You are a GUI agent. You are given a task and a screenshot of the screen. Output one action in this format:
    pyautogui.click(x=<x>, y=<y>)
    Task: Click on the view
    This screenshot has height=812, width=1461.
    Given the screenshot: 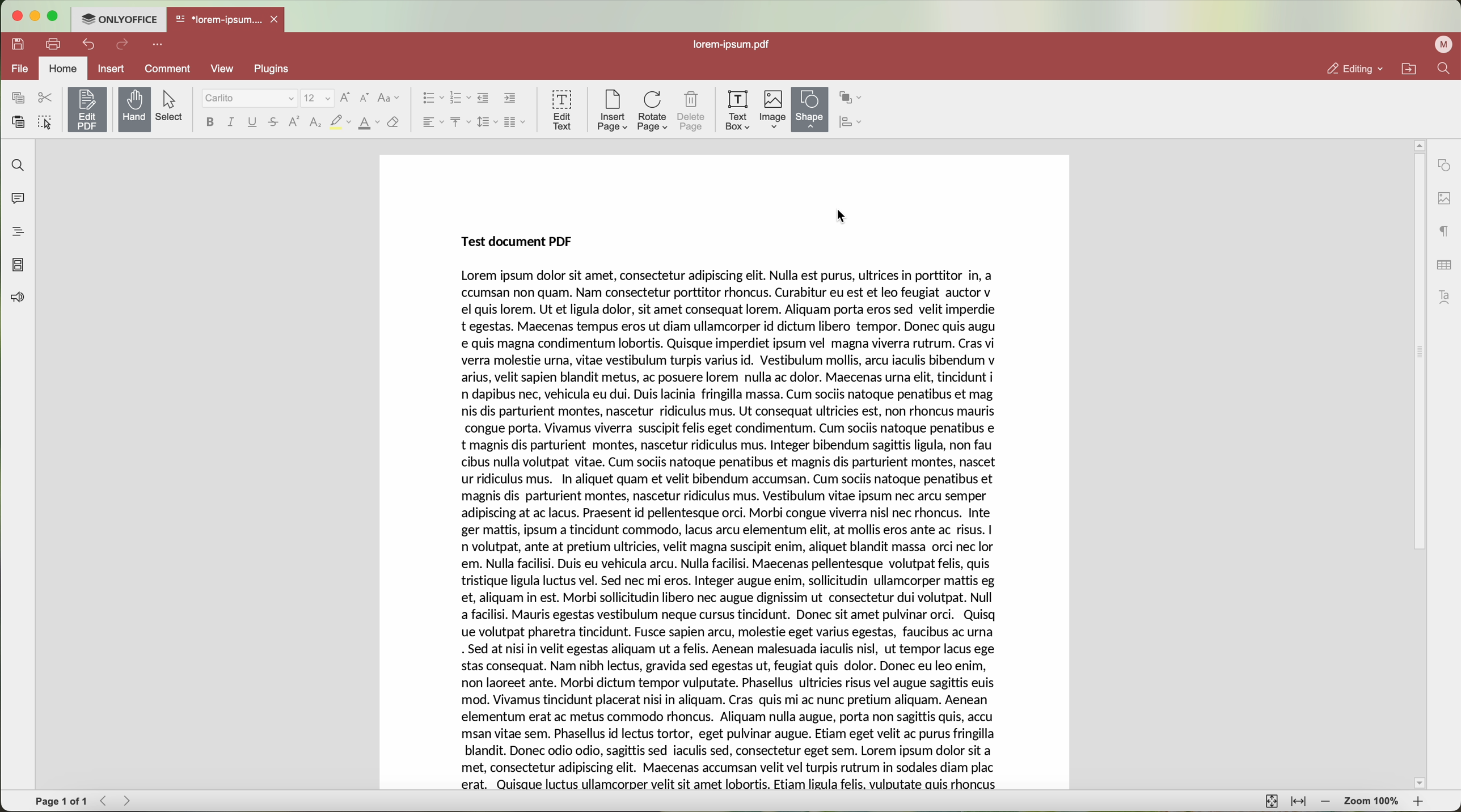 What is the action you would take?
    pyautogui.click(x=222, y=67)
    